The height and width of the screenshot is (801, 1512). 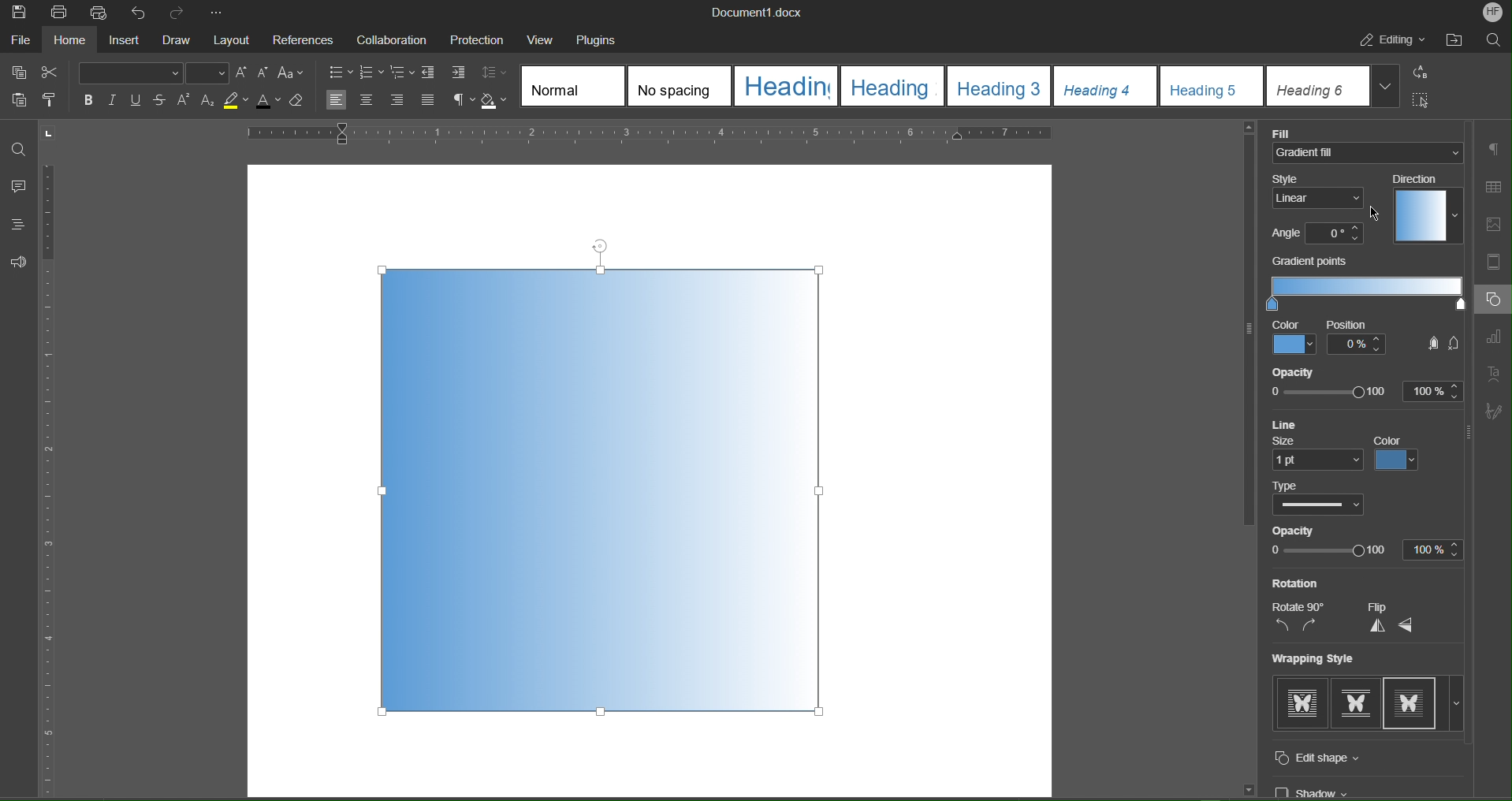 What do you see at coordinates (67, 40) in the screenshot?
I see `Home` at bounding box center [67, 40].